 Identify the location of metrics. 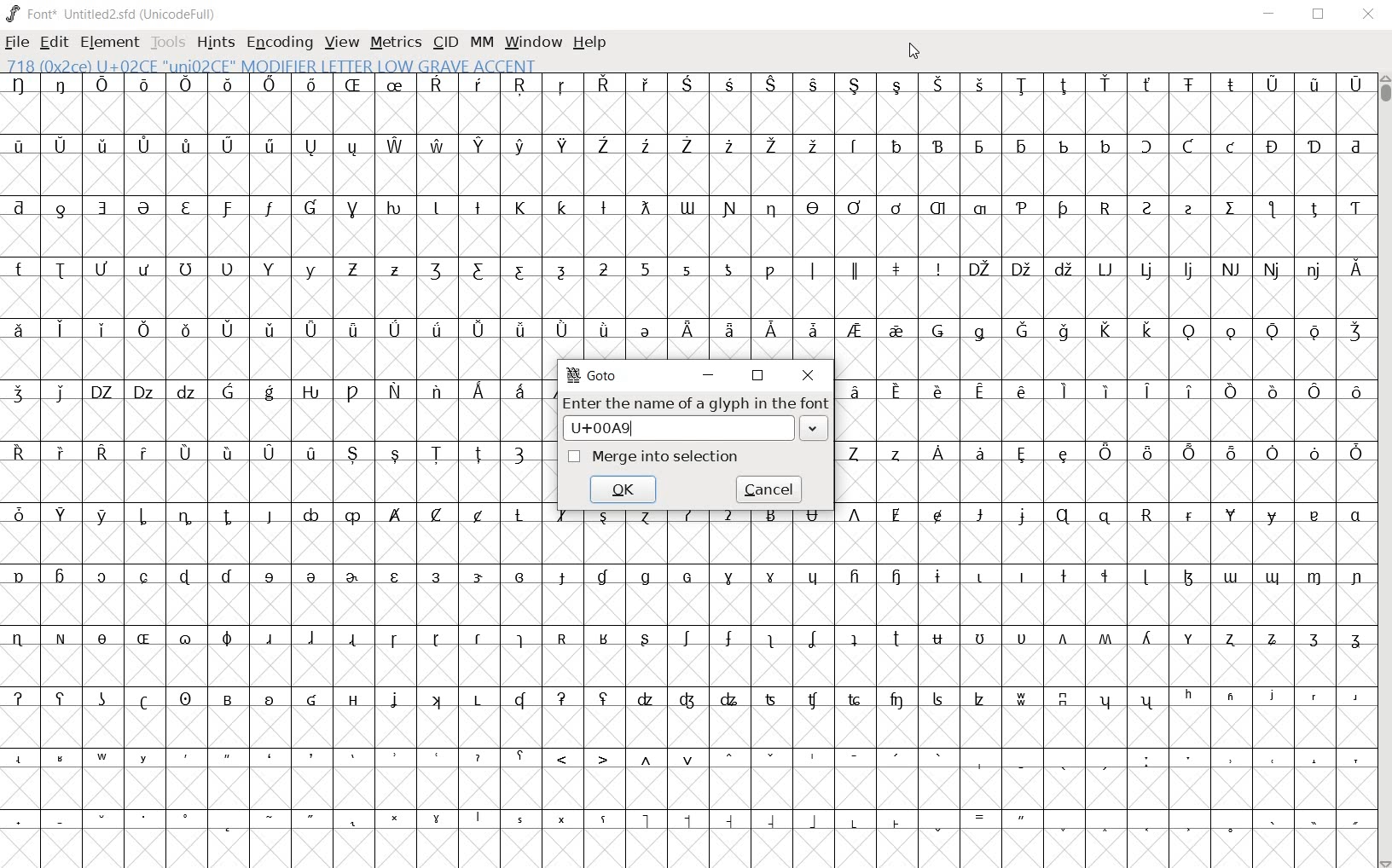
(395, 42).